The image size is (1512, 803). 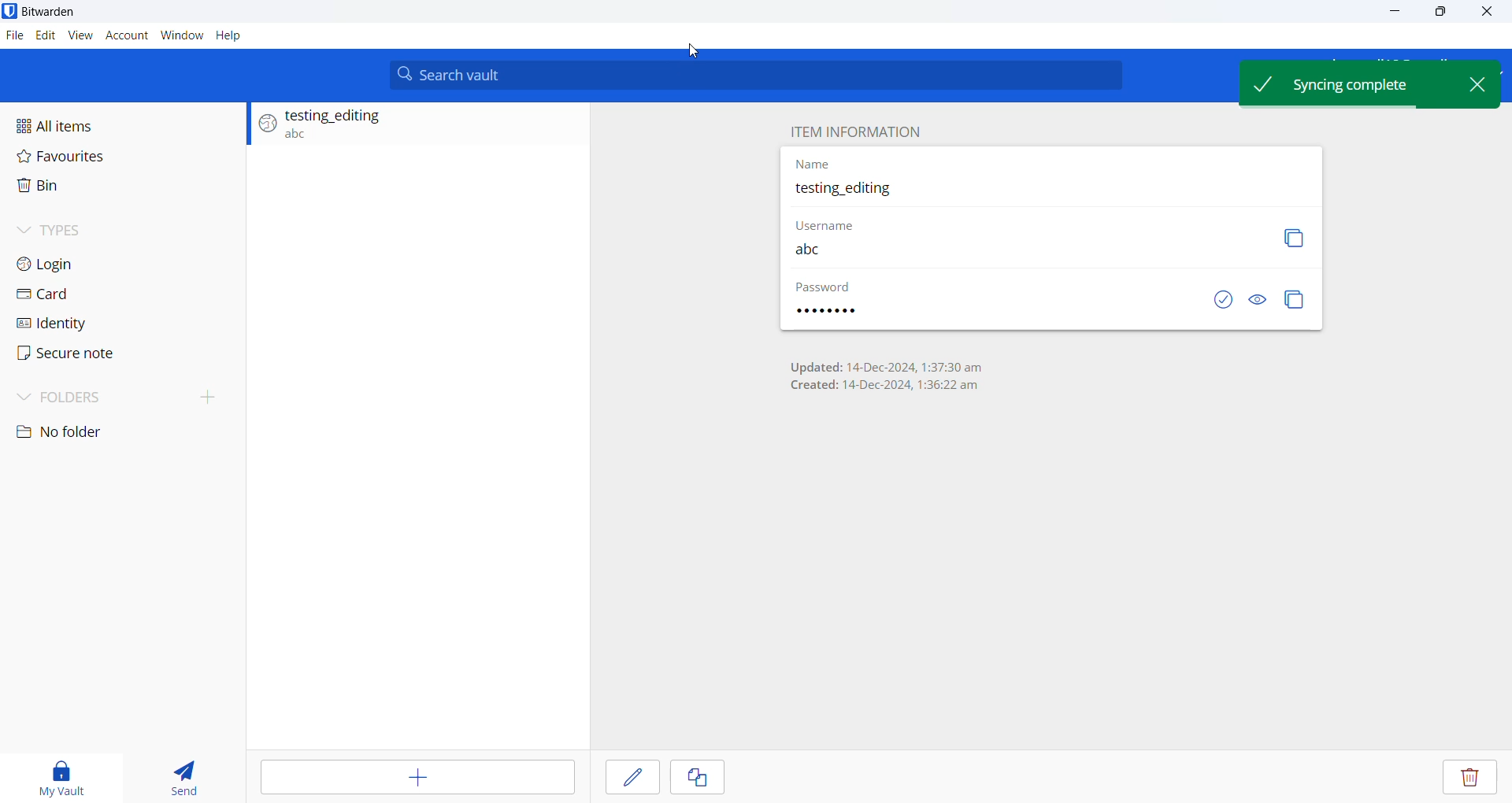 What do you see at coordinates (229, 35) in the screenshot?
I see `Help` at bounding box center [229, 35].